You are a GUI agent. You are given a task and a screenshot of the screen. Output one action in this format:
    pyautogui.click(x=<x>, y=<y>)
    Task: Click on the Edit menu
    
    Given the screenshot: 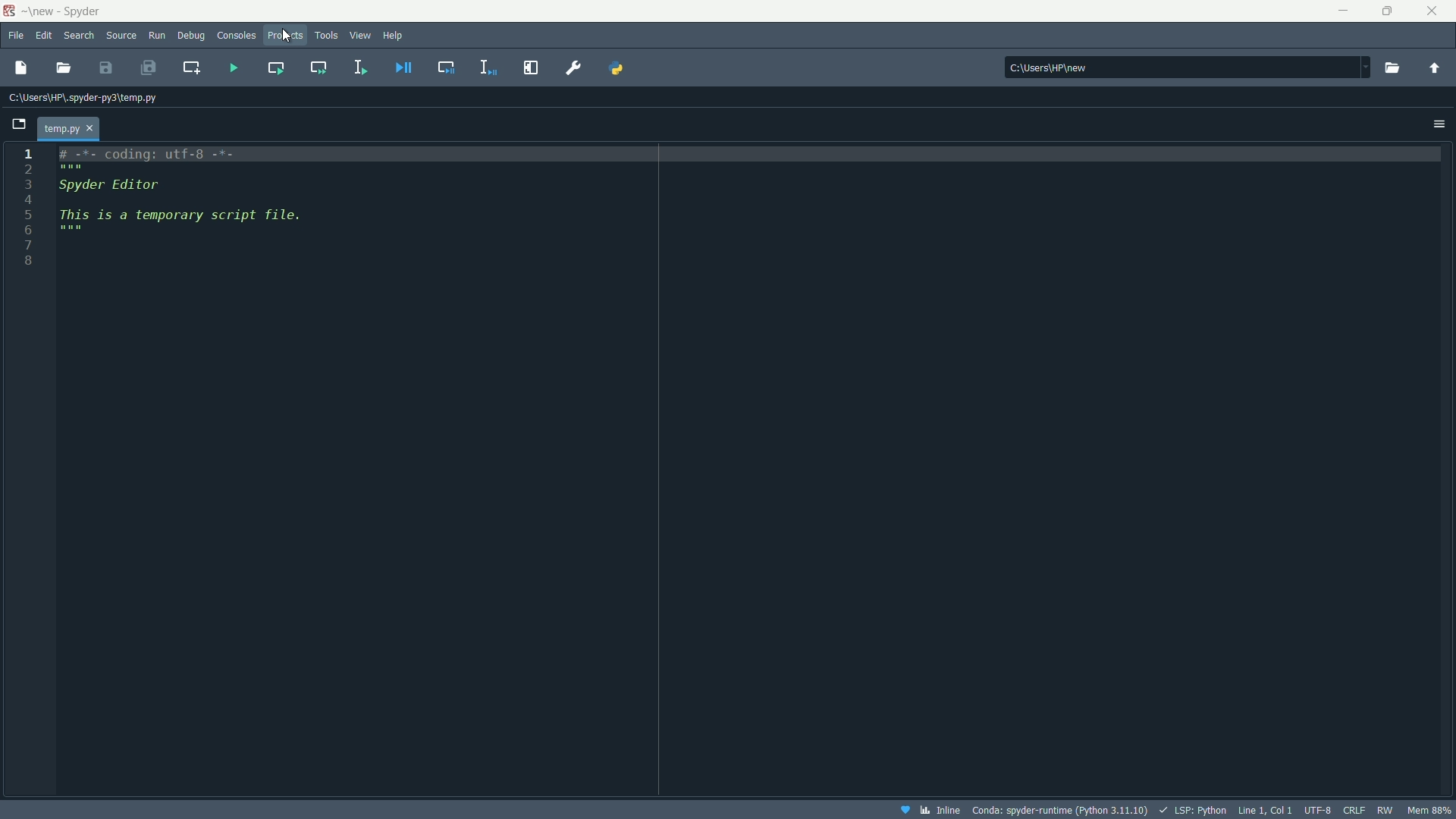 What is the action you would take?
    pyautogui.click(x=45, y=35)
    